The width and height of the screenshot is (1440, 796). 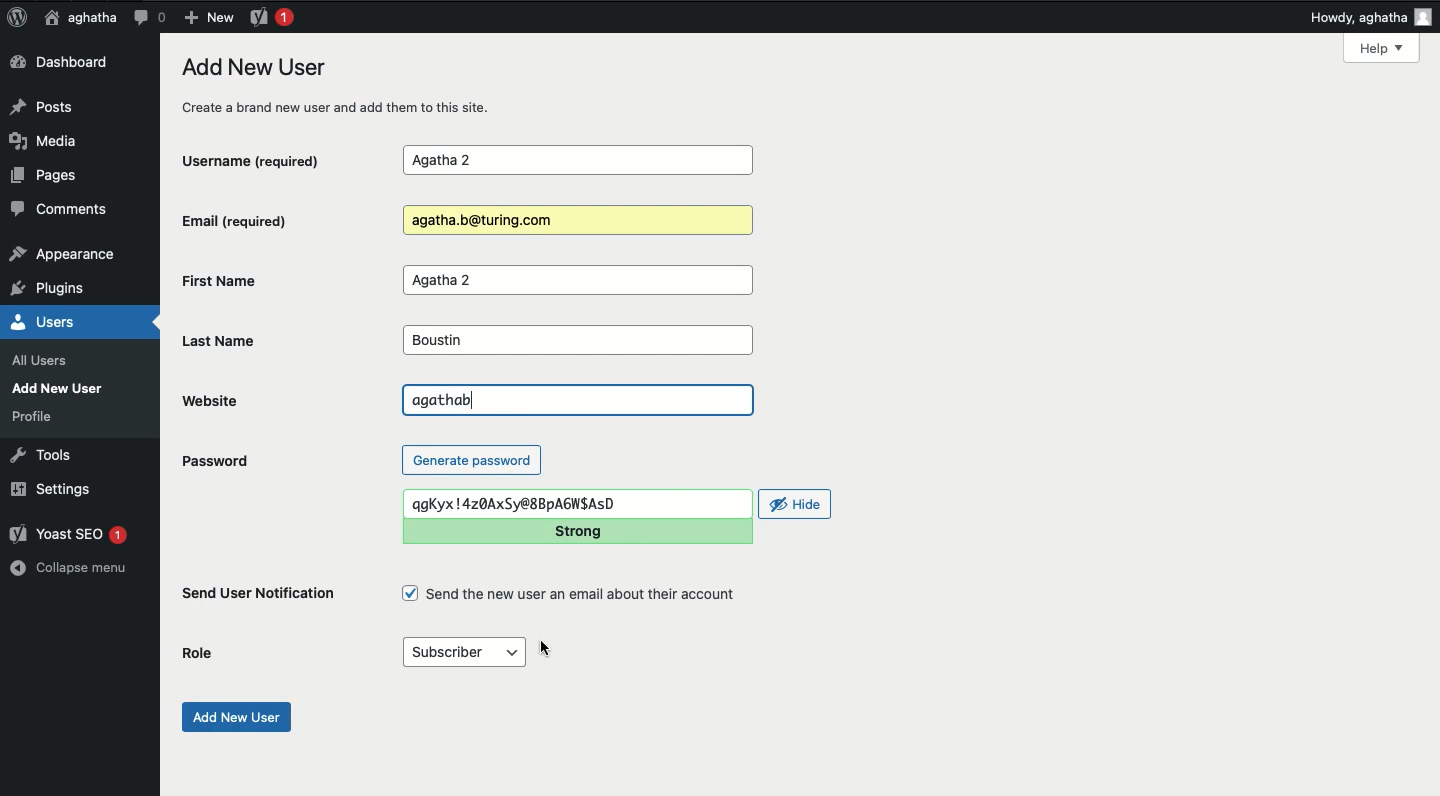 I want to click on Howdy, aghatha, so click(x=1371, y=17).